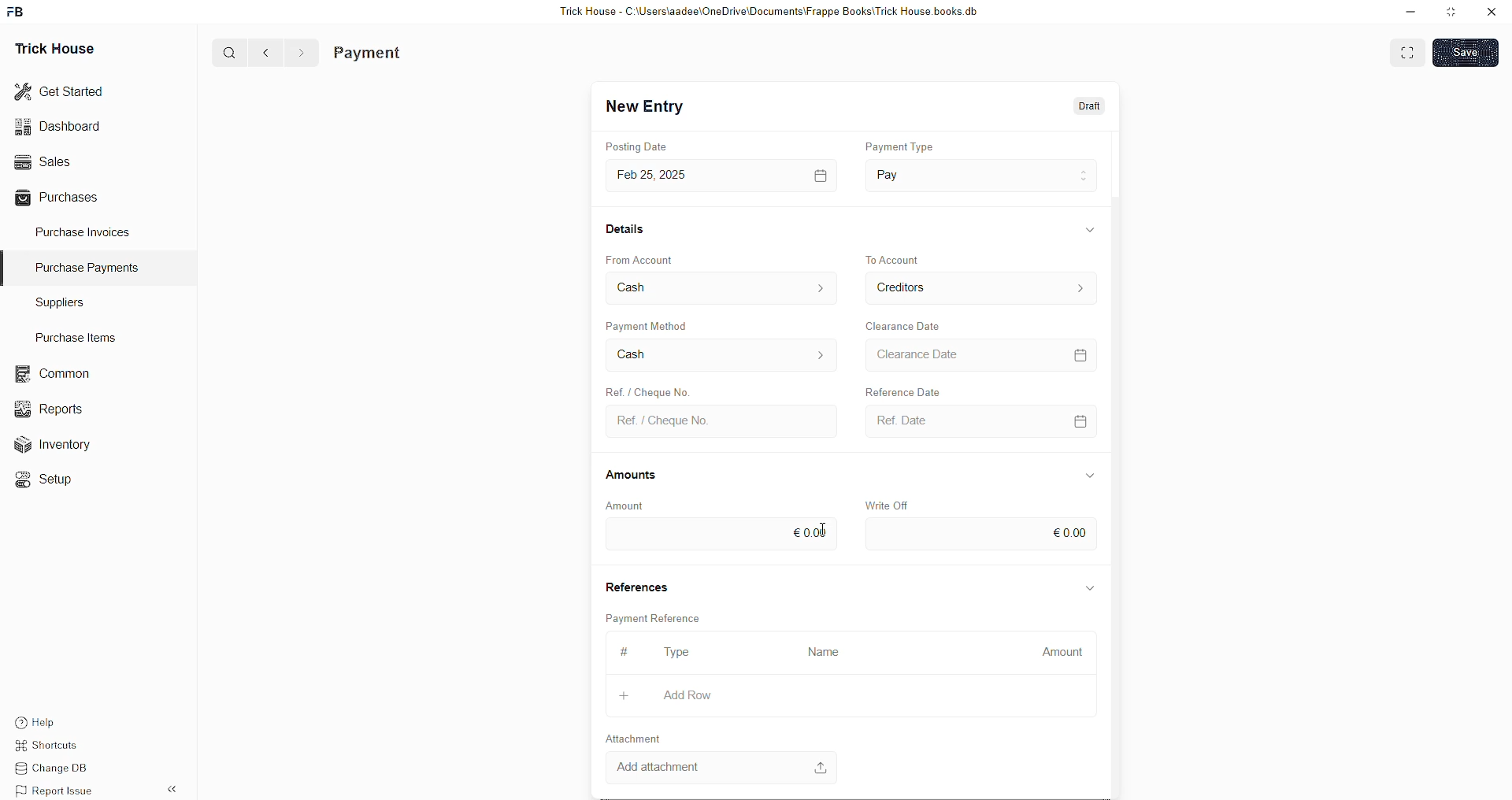 This screenshot has width=1512, height=800. What do you see at coordinates (656, 617) in the screenshot?
I see `Payment Reference` at bounding box center [656, 617].